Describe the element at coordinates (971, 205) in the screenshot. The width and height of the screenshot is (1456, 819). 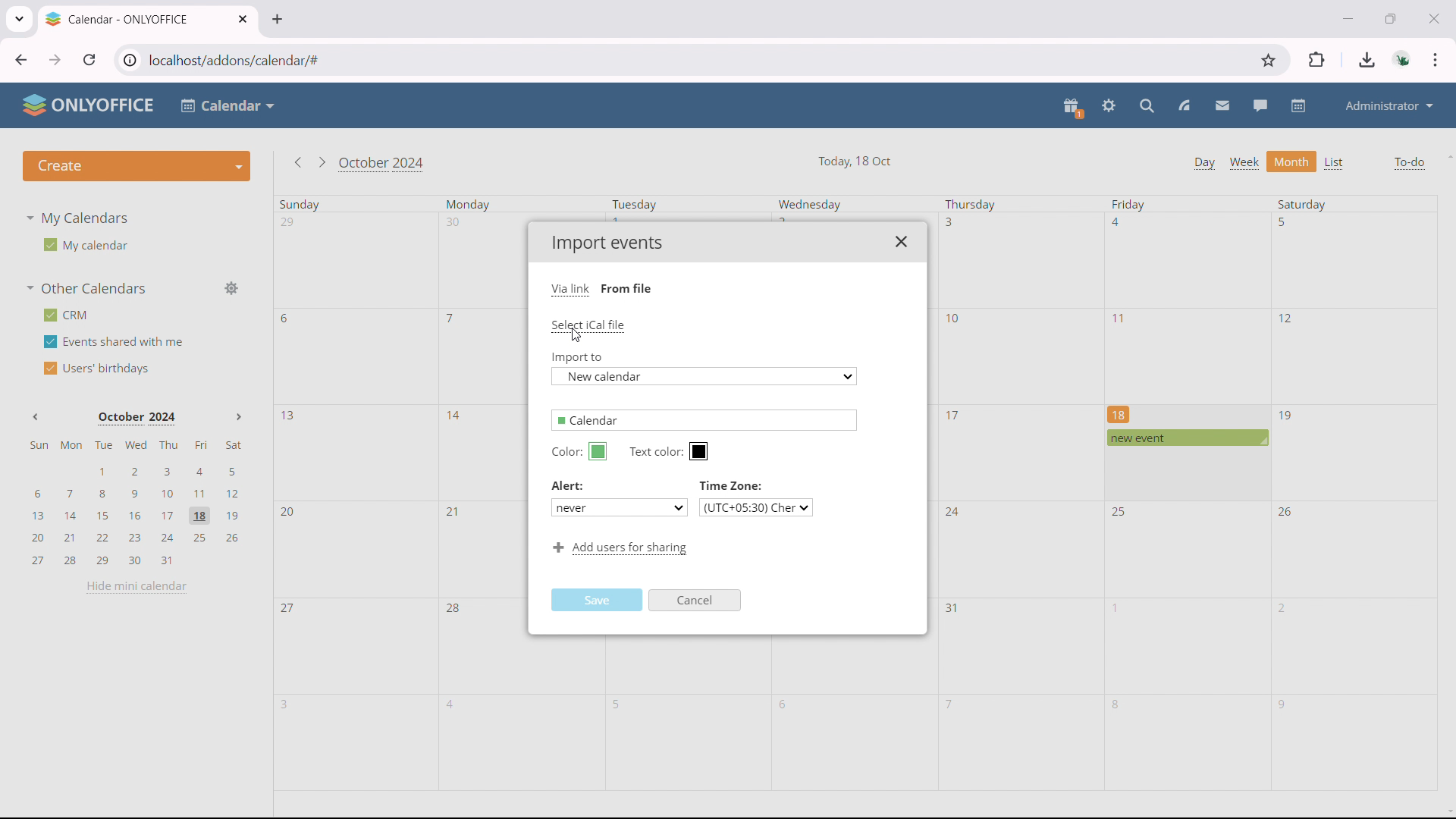
I see `Thursday` at that location.